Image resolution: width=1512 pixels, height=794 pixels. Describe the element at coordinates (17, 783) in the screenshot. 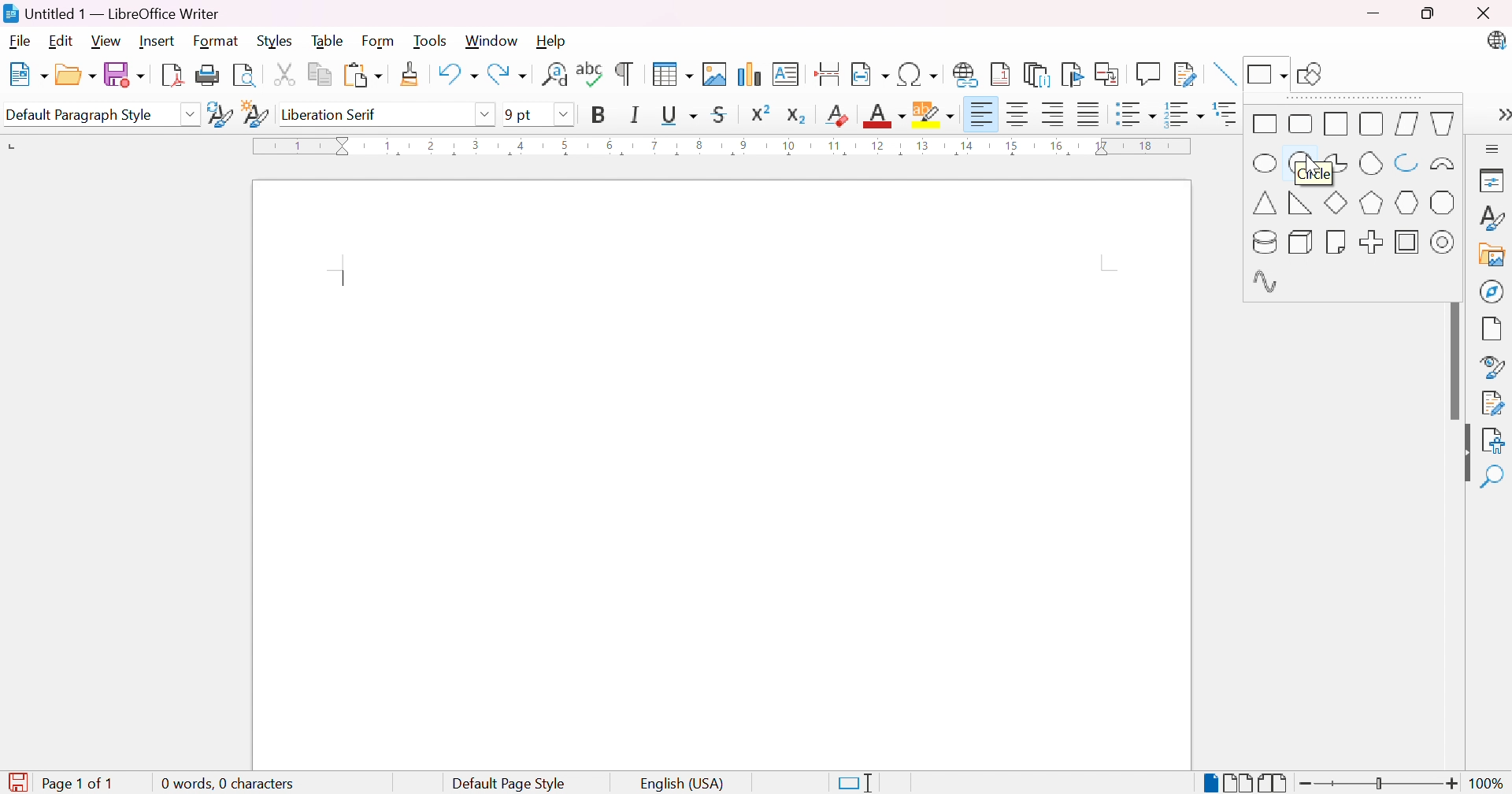

I see `The document has been modified. Click to save the document.` at that location.